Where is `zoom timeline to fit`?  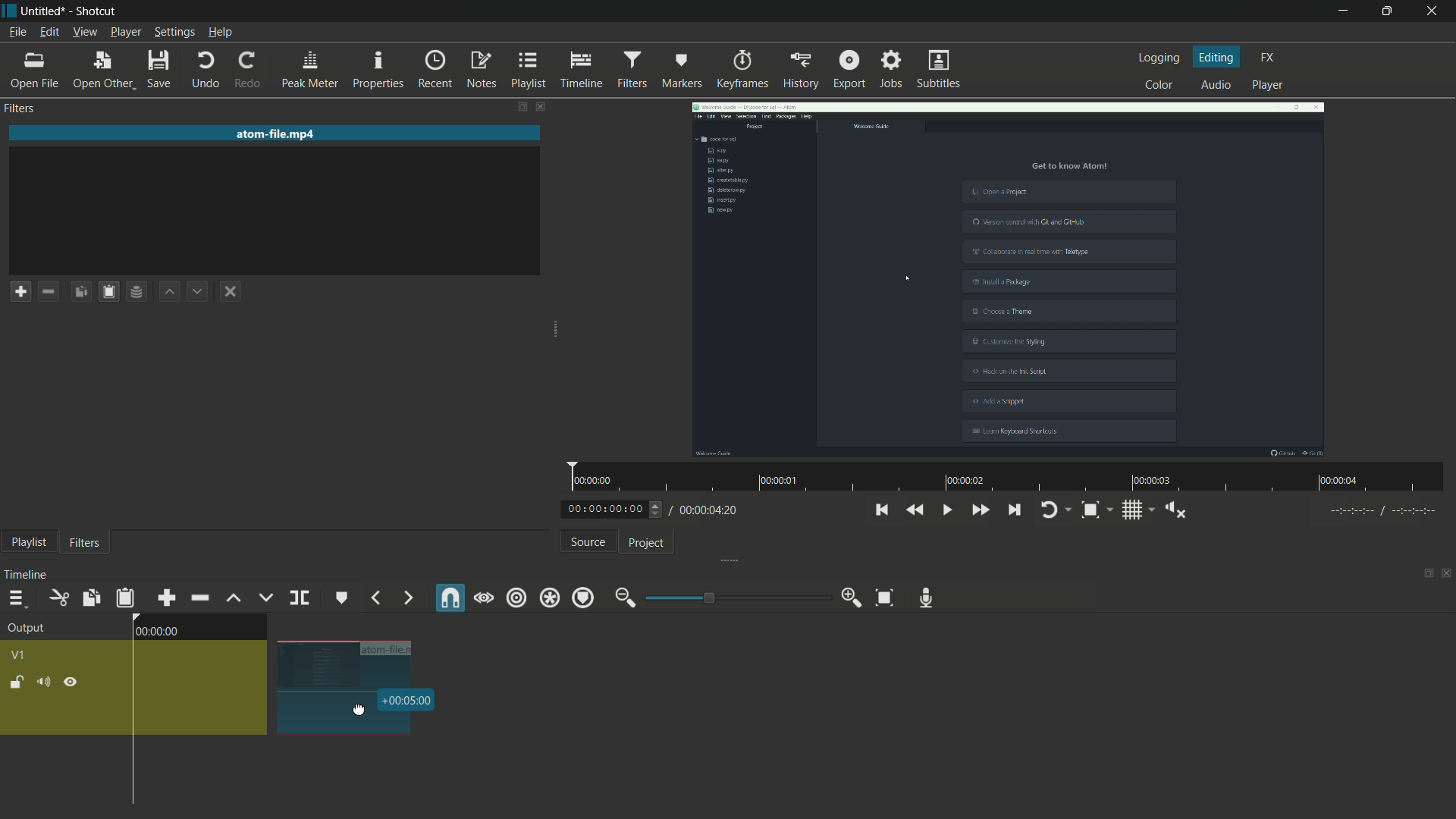 zoom timeline to fit is located at coordinates (885, 598).